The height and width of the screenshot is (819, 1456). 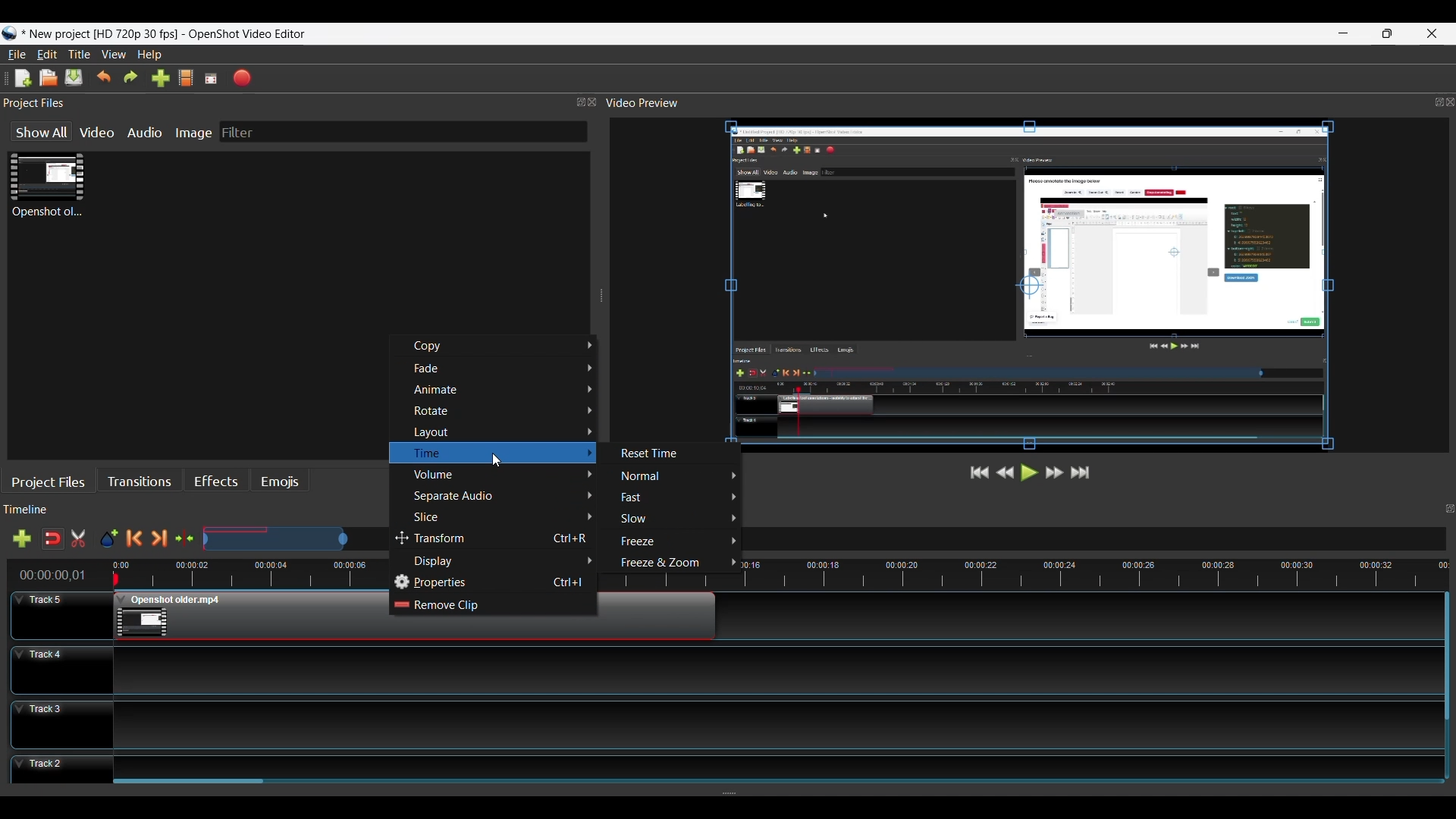 I want to click on Track Header, so click(x=61, y=769).